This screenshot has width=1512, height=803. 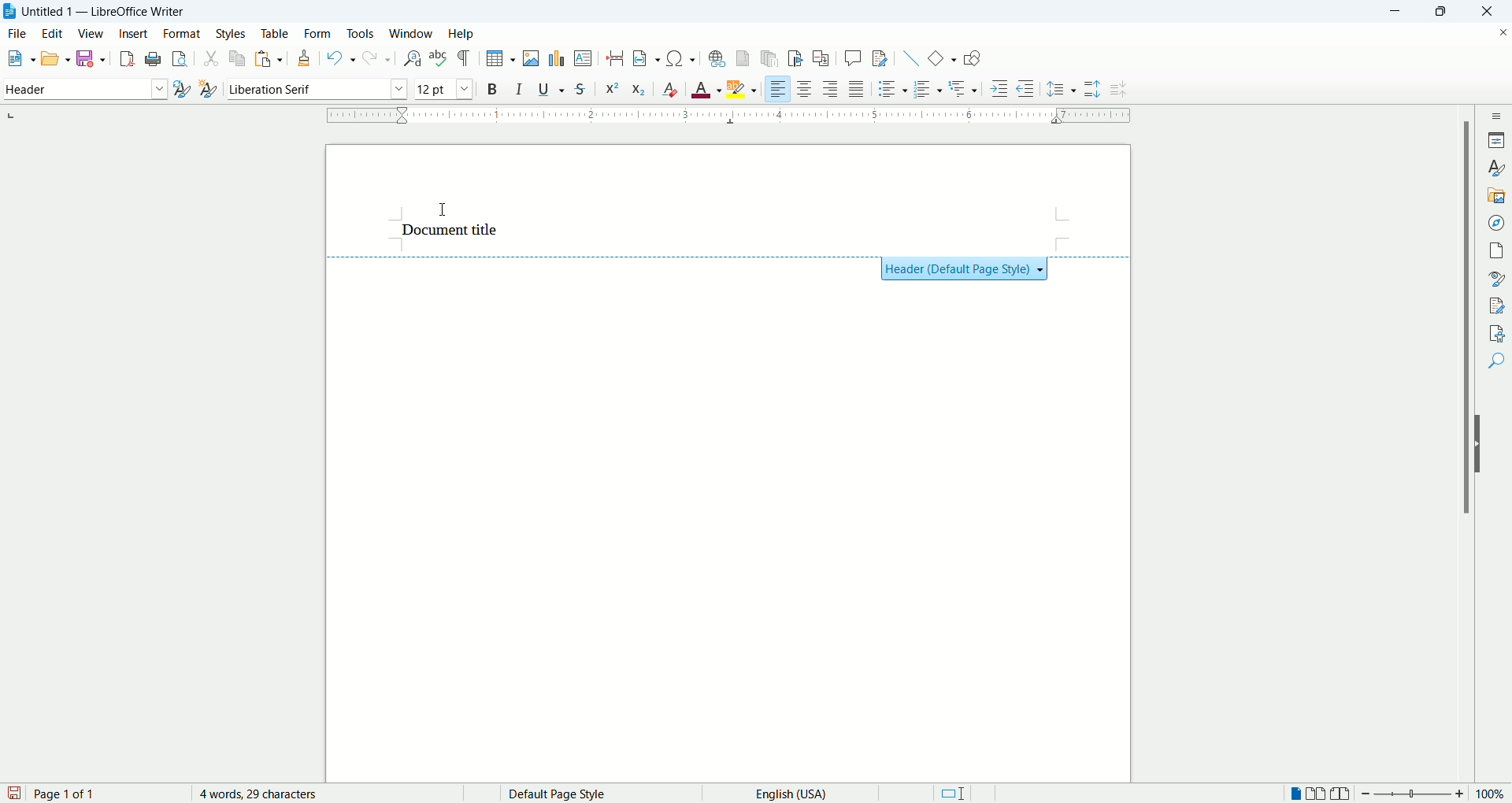 I want to click on clear formatting, so click(x=670, y=89).